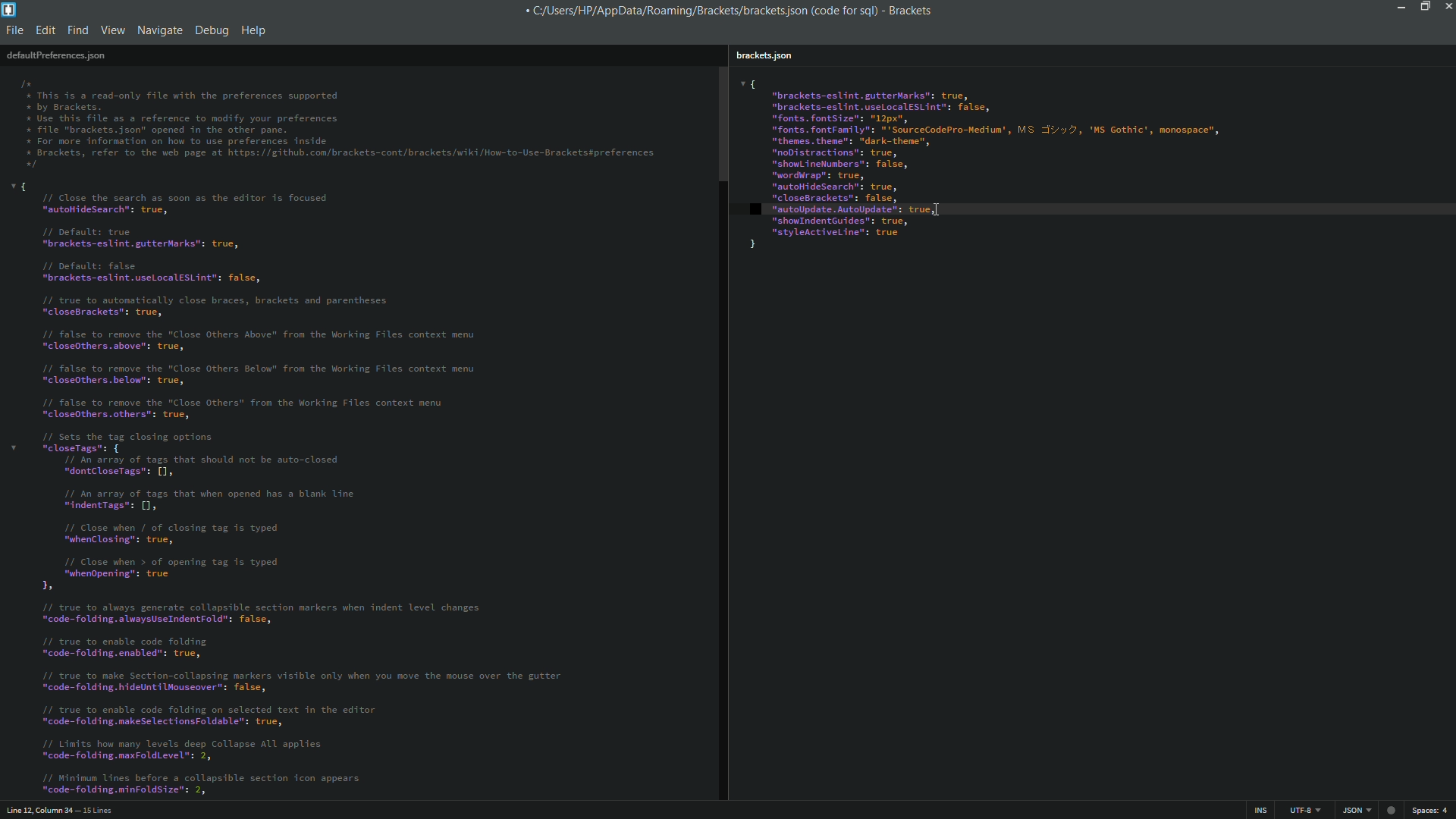  Describe the element at coordinates (1301, 809) in the screenshot. I see `UTF - 8` at that location.